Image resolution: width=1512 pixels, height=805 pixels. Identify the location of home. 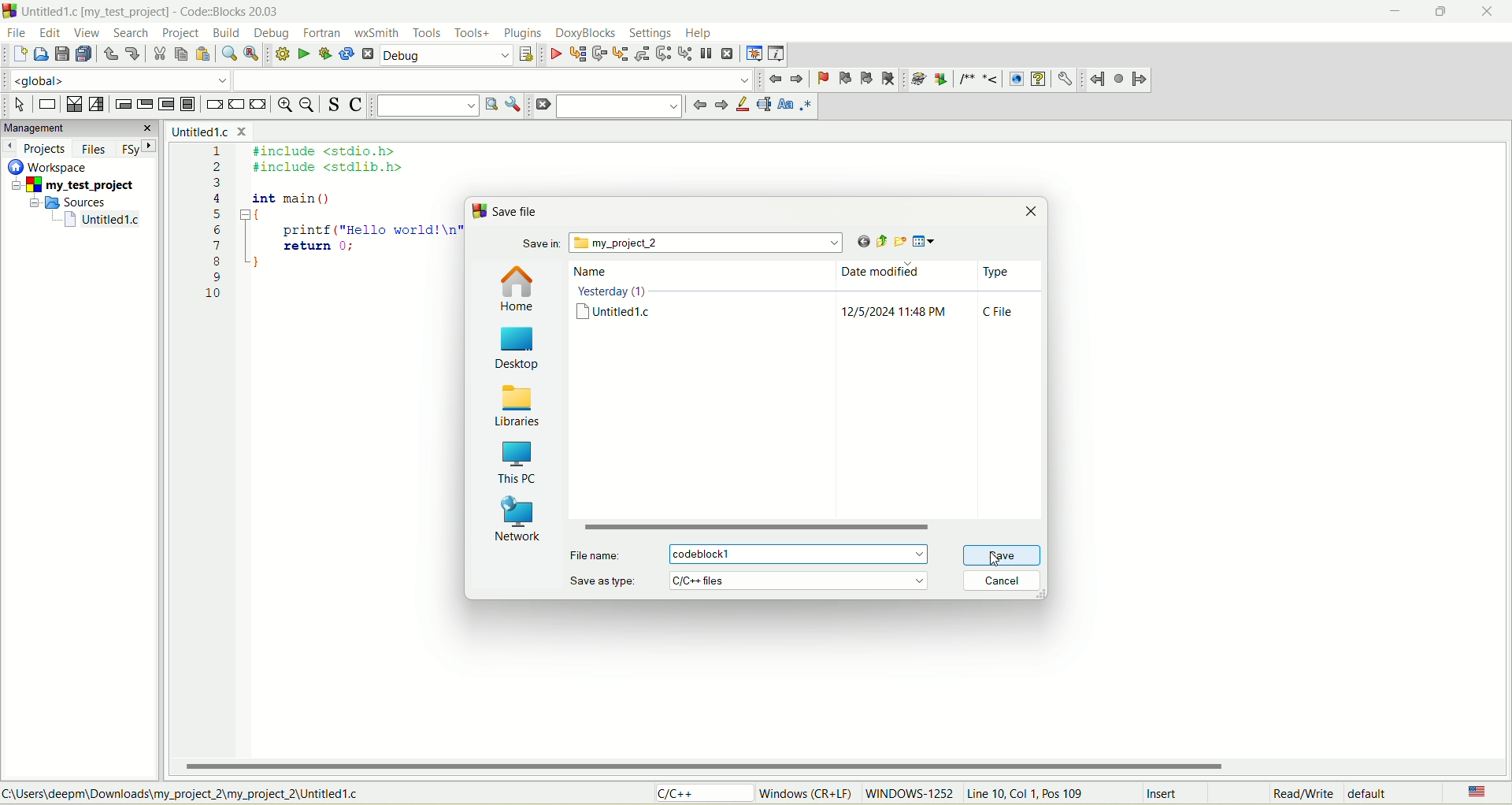
(519, 289).